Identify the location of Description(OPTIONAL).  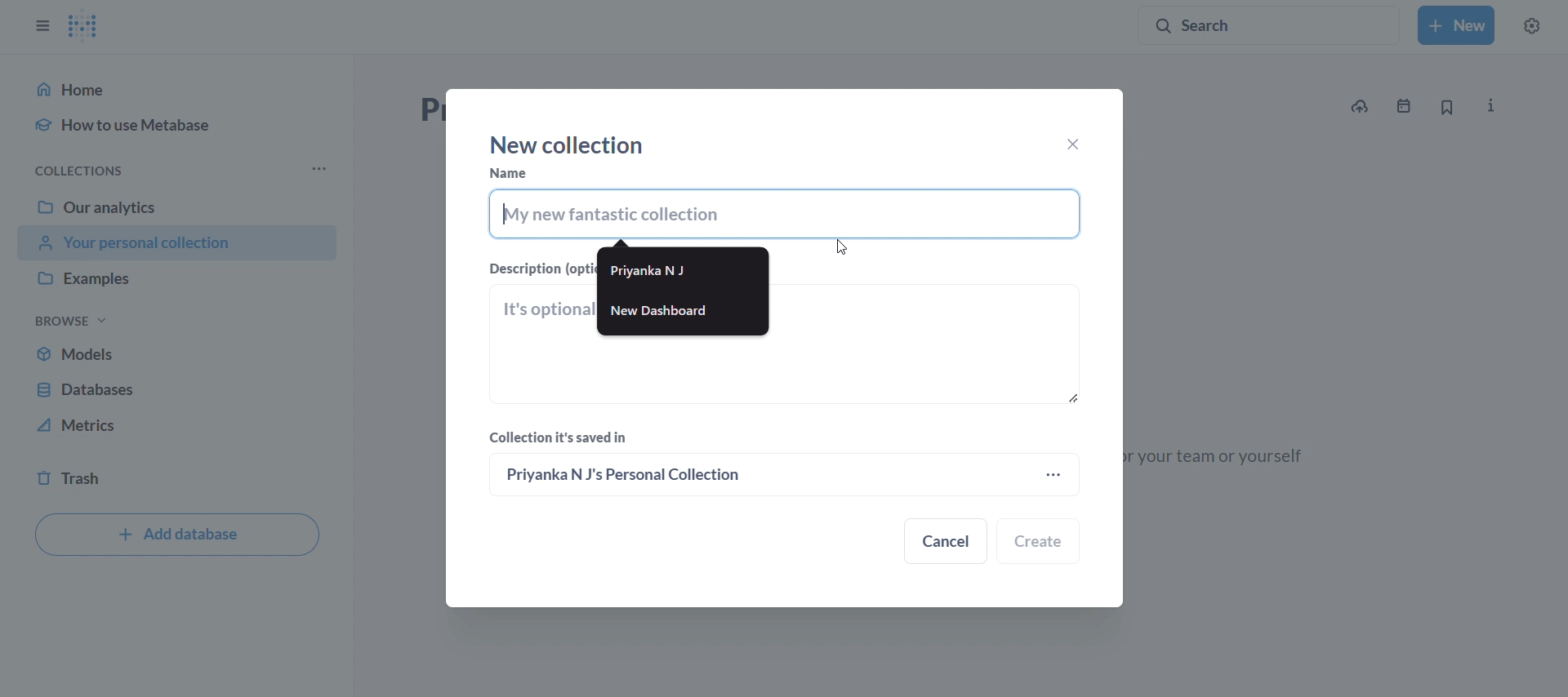
(541, 269).